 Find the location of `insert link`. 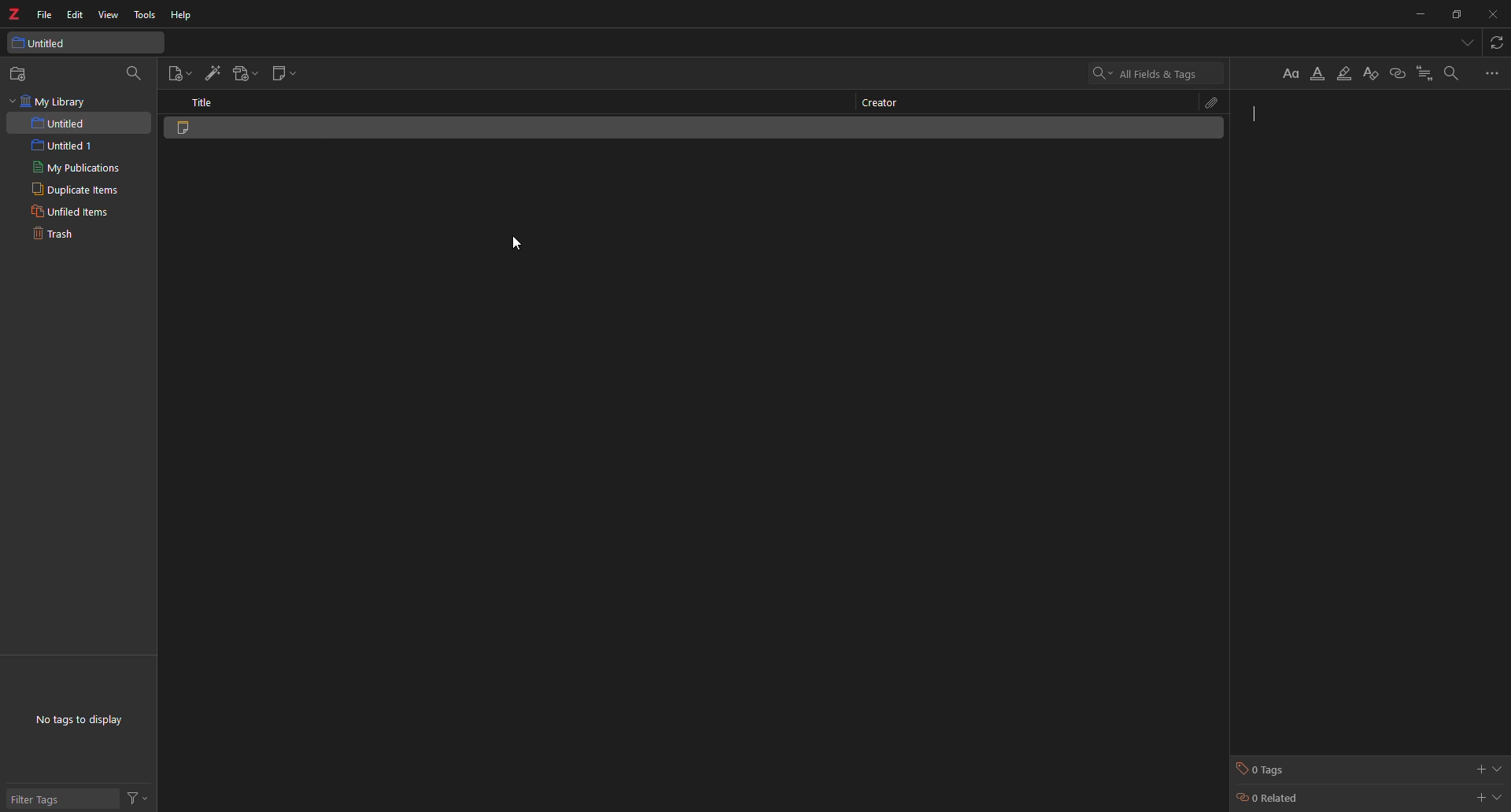

insert link is located at coordinates (1399, 71).